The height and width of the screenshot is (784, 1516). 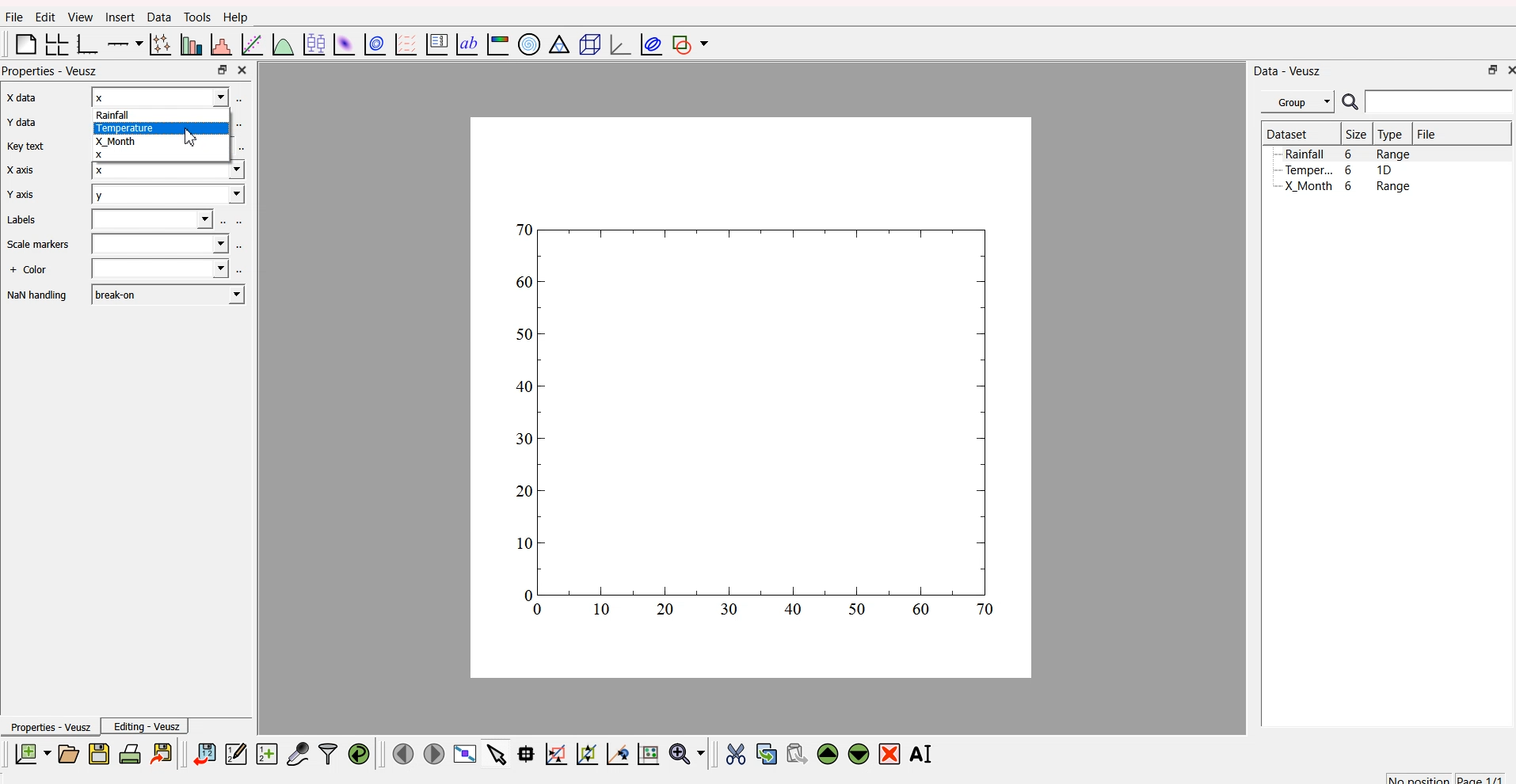 I want to click on new document, so click(x=32, y=755).